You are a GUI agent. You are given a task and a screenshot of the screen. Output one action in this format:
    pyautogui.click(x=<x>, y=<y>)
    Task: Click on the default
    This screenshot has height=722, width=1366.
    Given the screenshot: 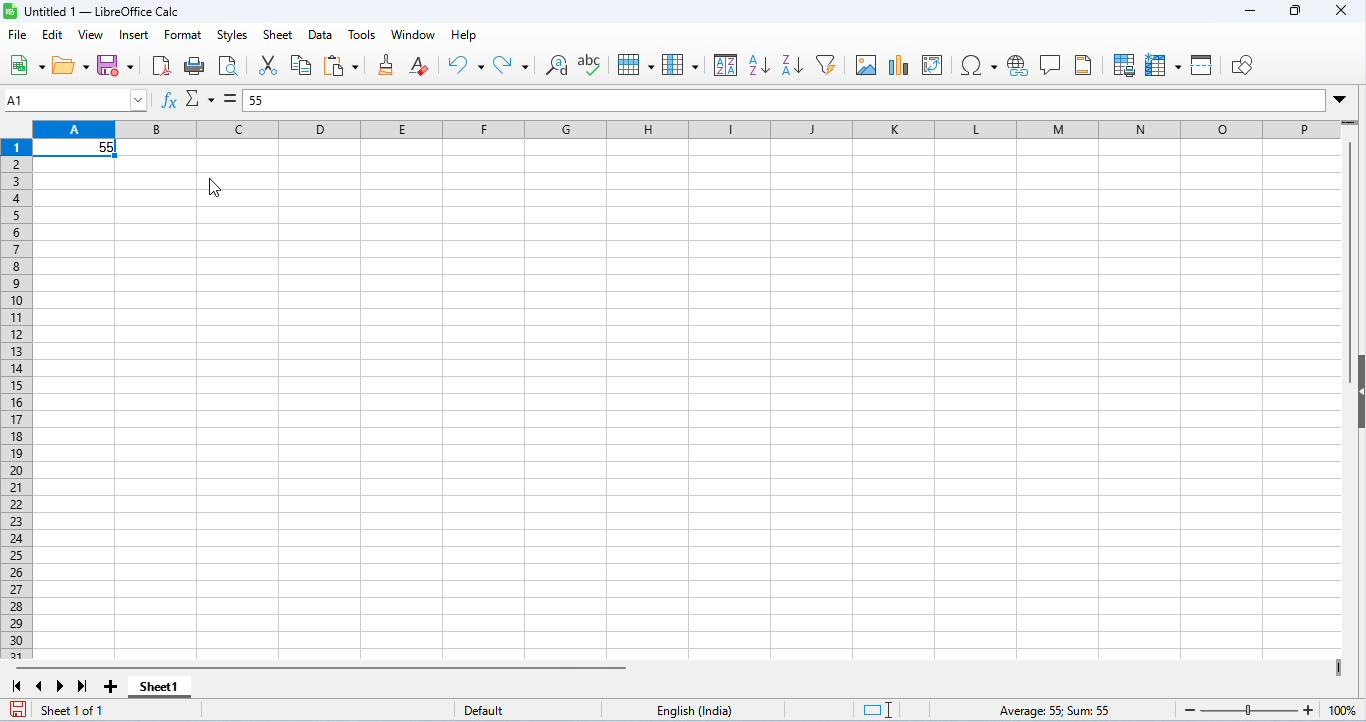 What is the action you would take?
    pyautogui.click(x=473, y=709)
    